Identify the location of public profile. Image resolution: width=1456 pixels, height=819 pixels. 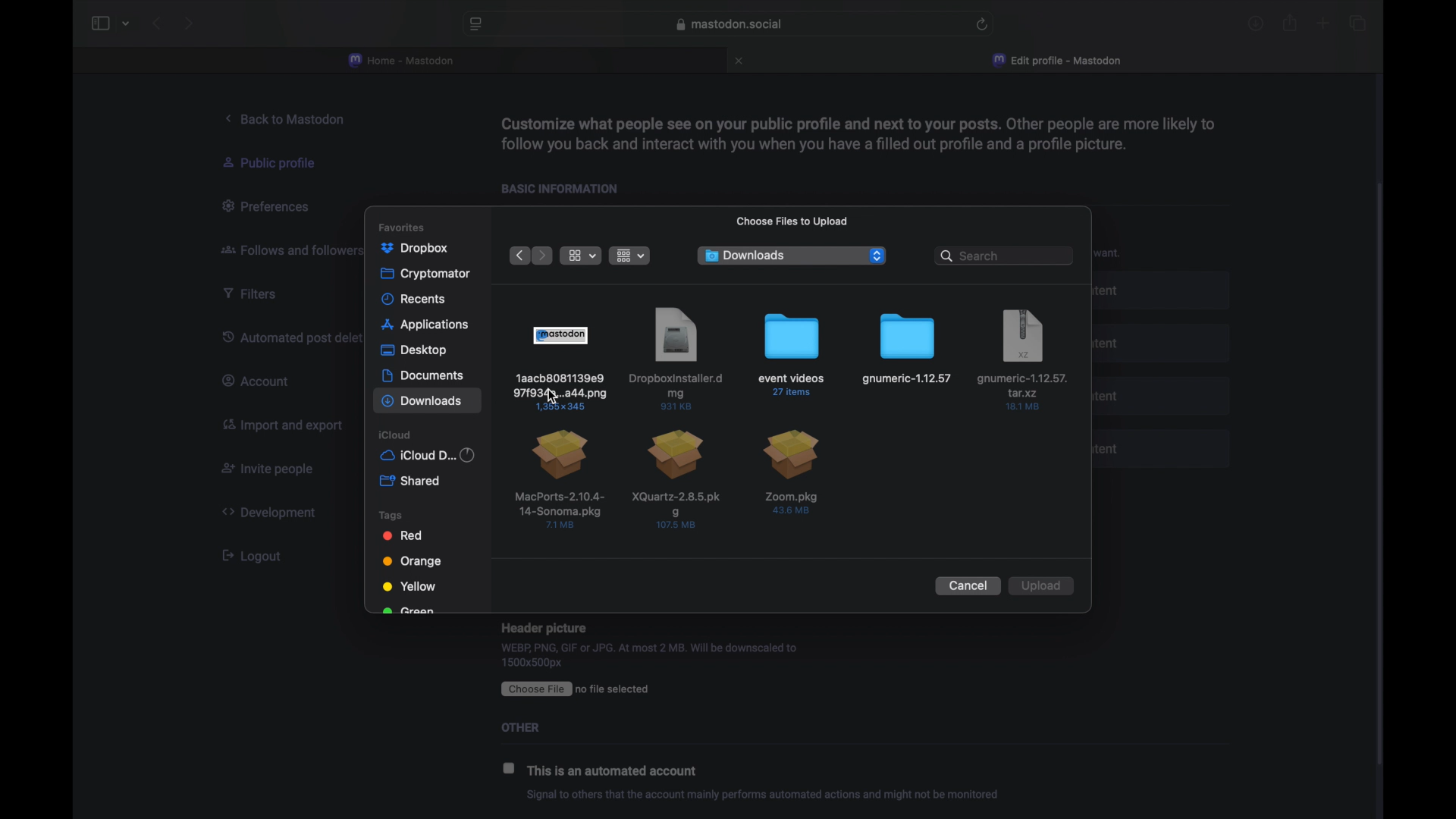
(278, 163).